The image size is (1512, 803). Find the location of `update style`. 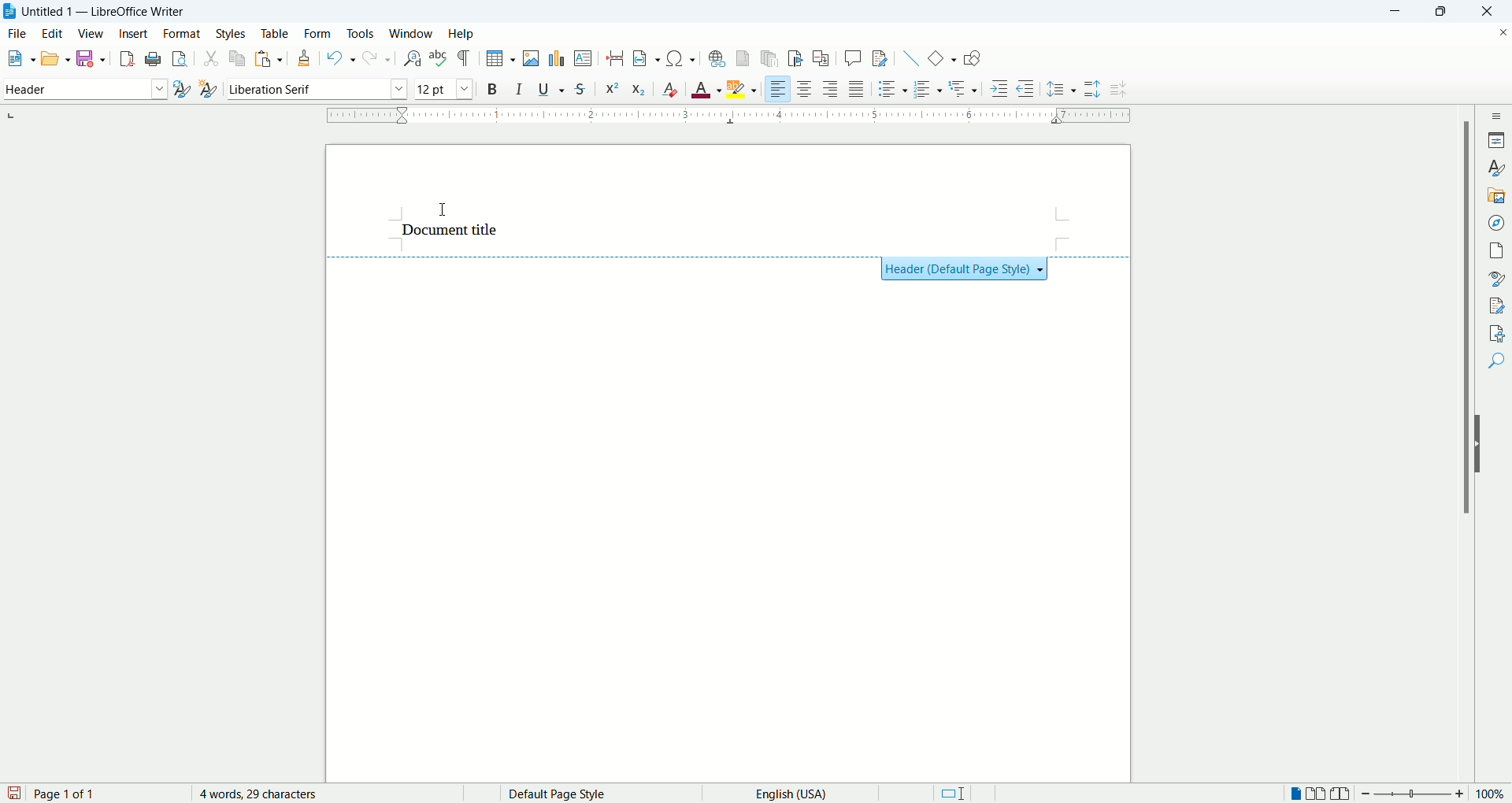

update style is located at coordinates (182, 89).